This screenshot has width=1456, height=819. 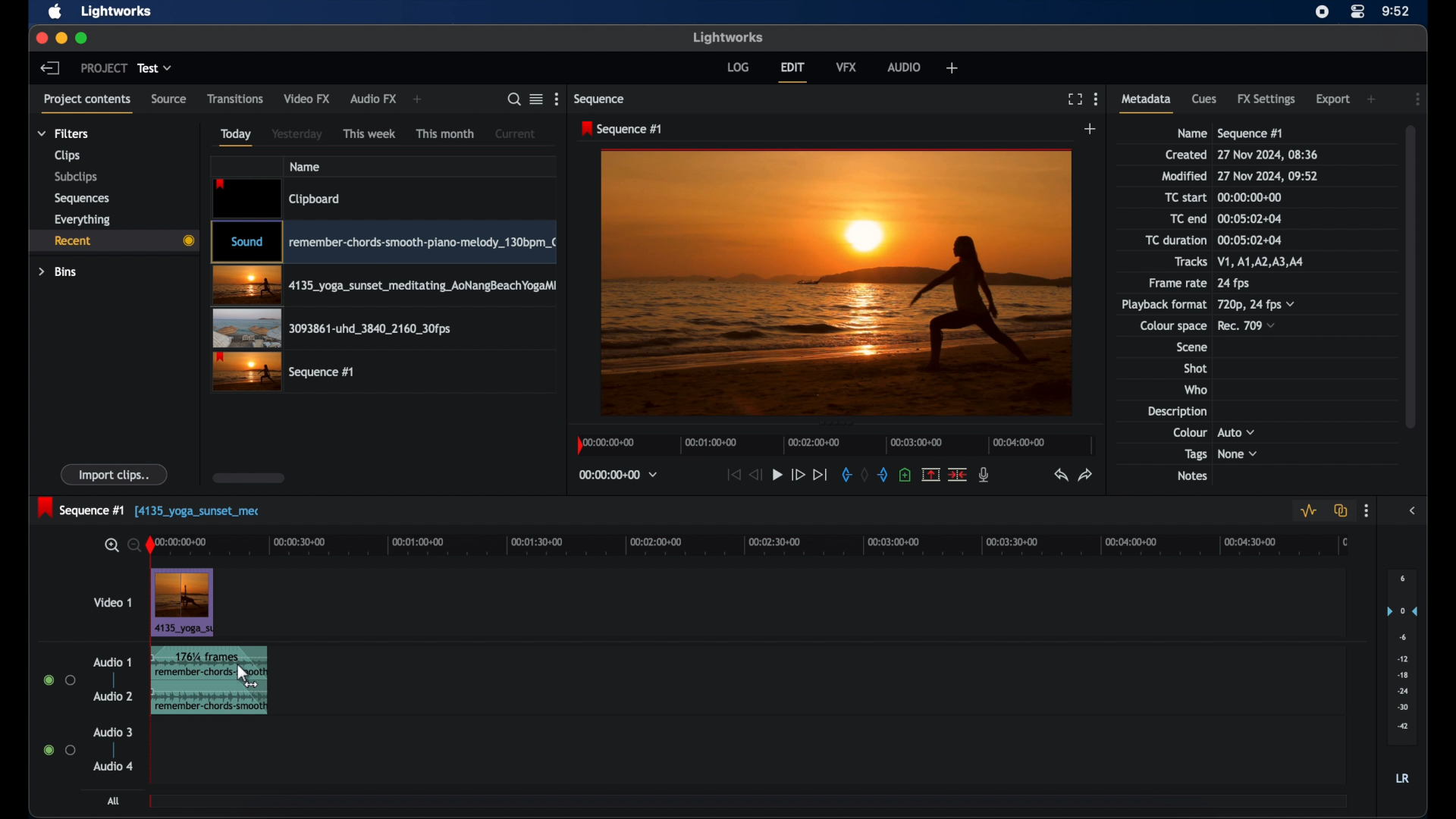 What do you see at coordinates (155, 67) in the screenshot?
I see `test` at bounding box center [155, 67].